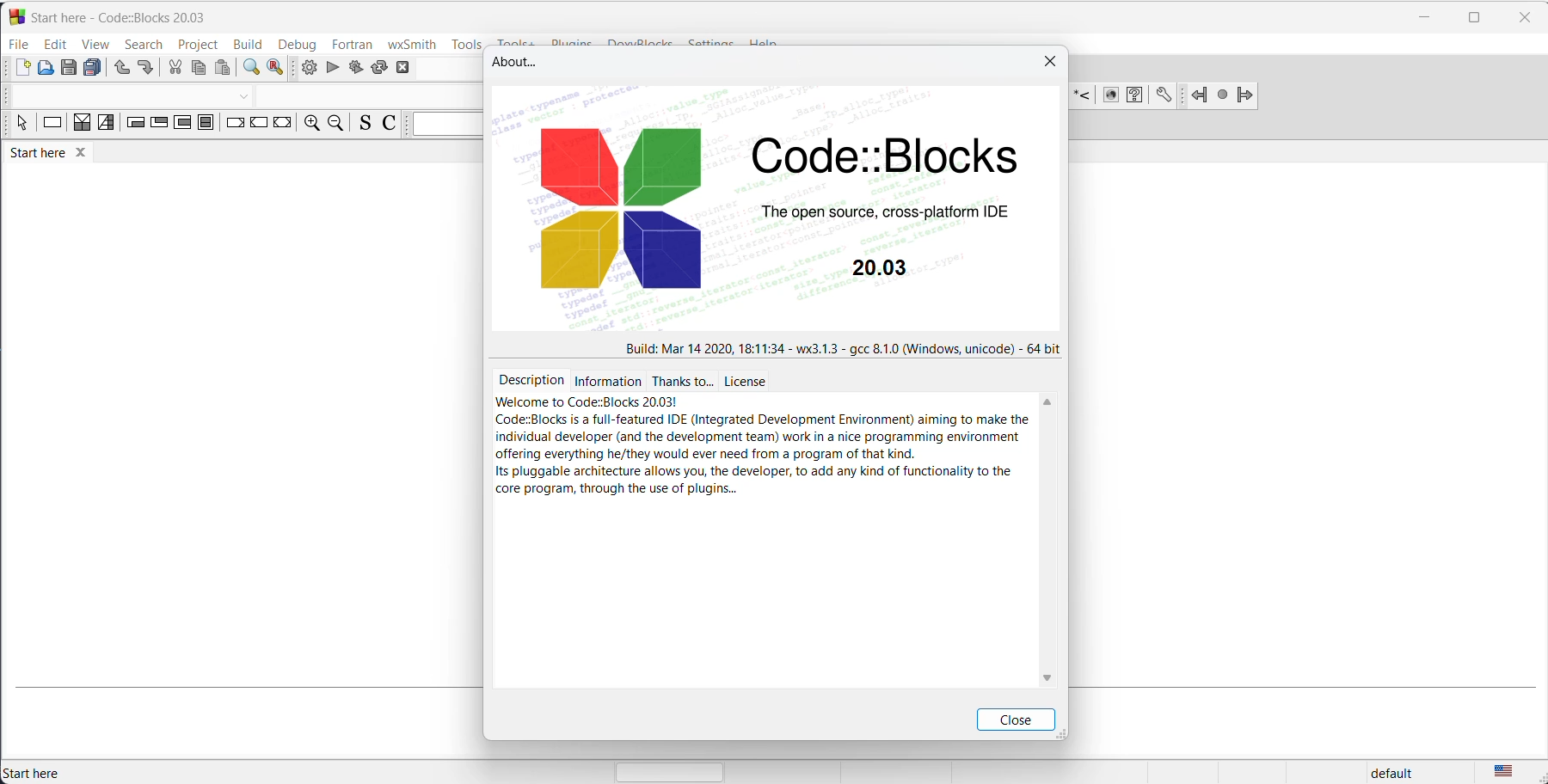  What do you see at coordinates (44, 72) in the screenshot?
I see `open file` at bounding box center [44, 72].